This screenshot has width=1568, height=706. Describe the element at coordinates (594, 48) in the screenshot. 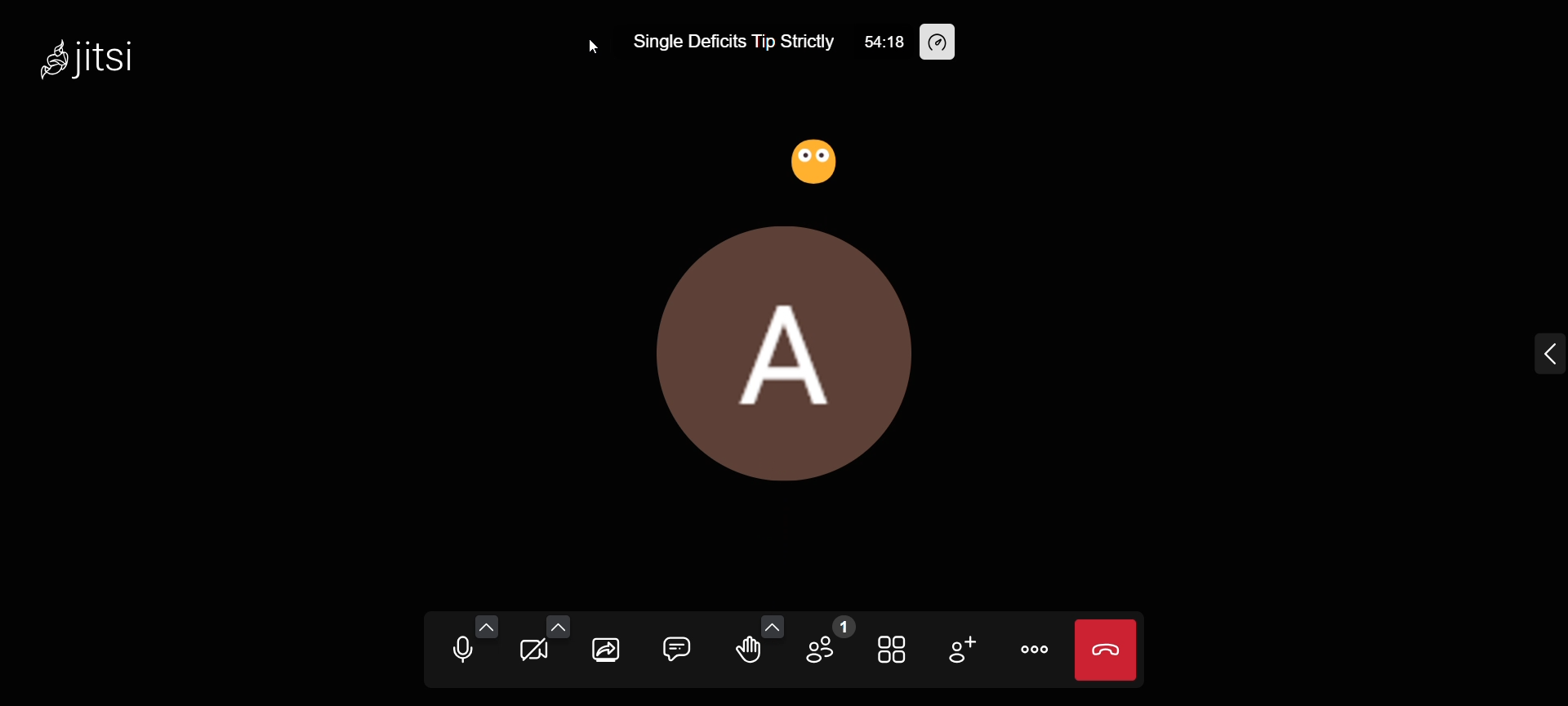

I see `Cursor` at that location.